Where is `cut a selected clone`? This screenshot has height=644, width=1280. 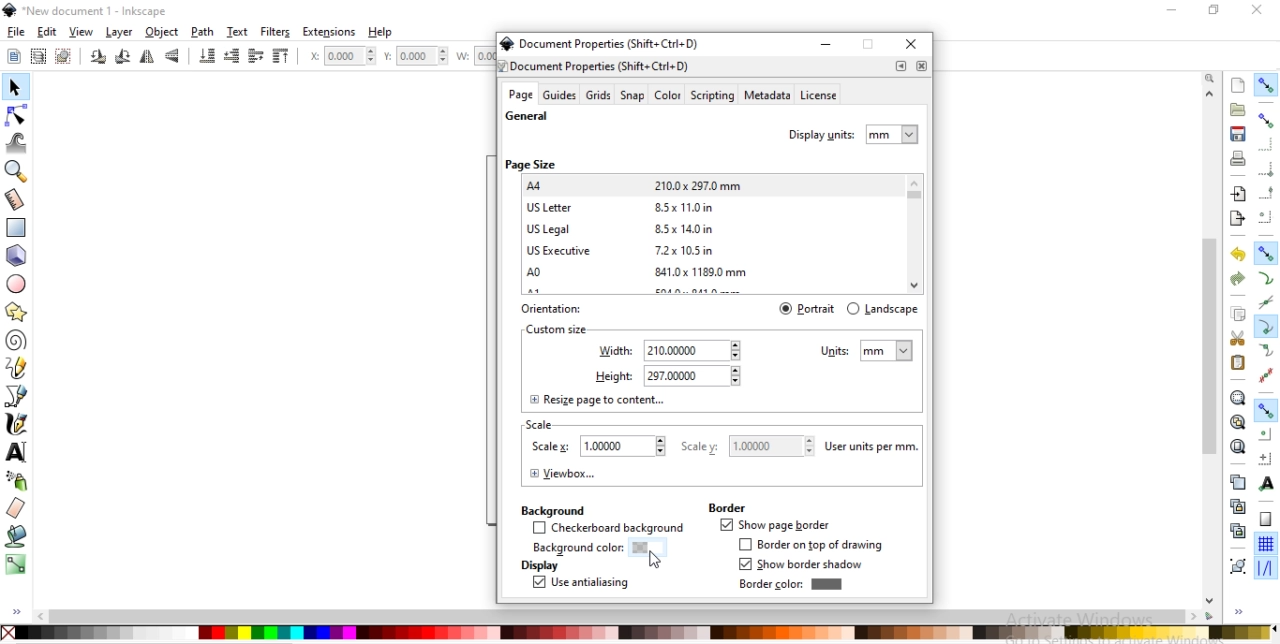 cut a selected clone is located at coordinates (1236, 533).